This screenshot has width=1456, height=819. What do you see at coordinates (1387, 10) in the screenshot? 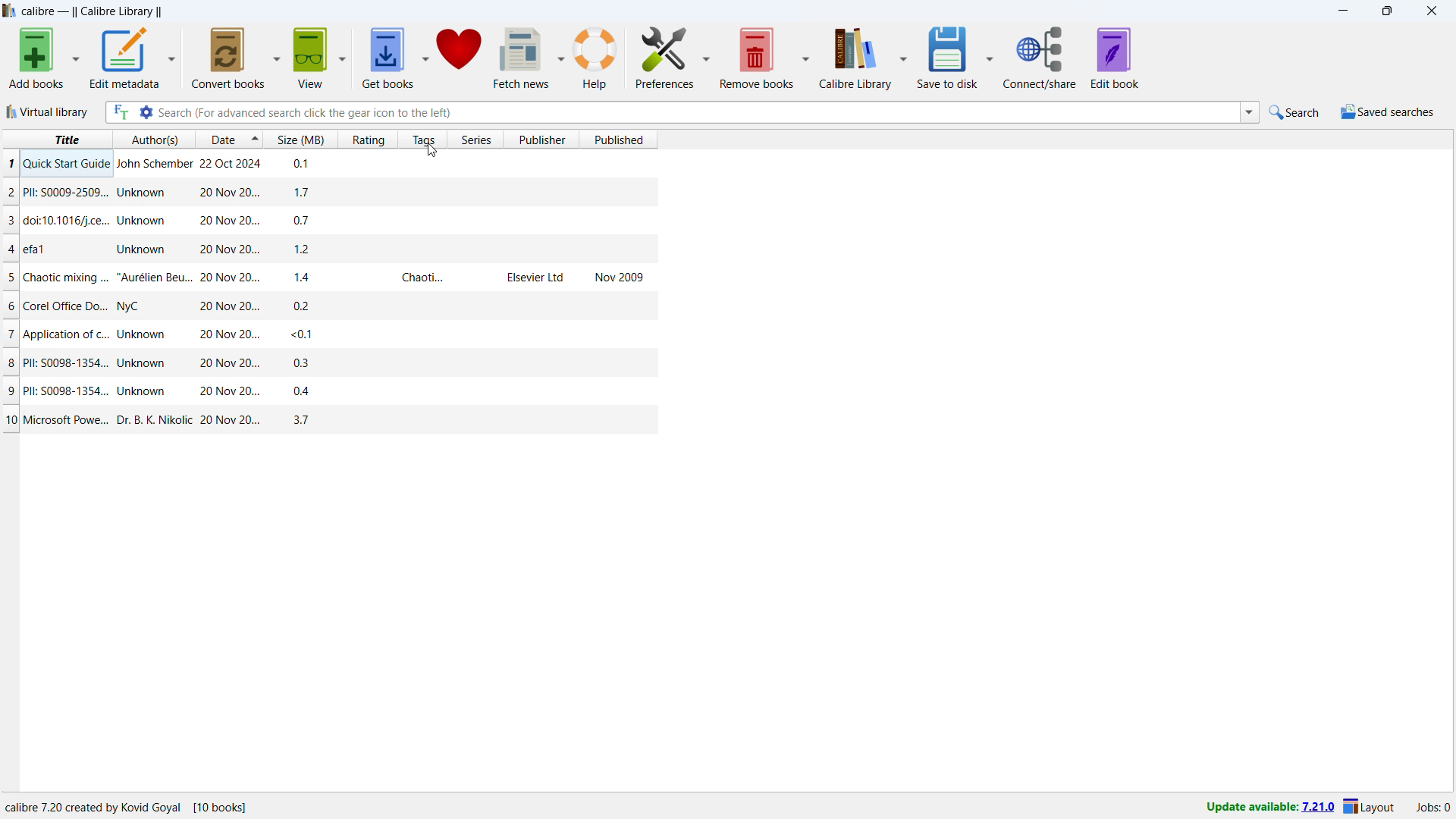
I see `maximize` at bounding box center [1387, 10].